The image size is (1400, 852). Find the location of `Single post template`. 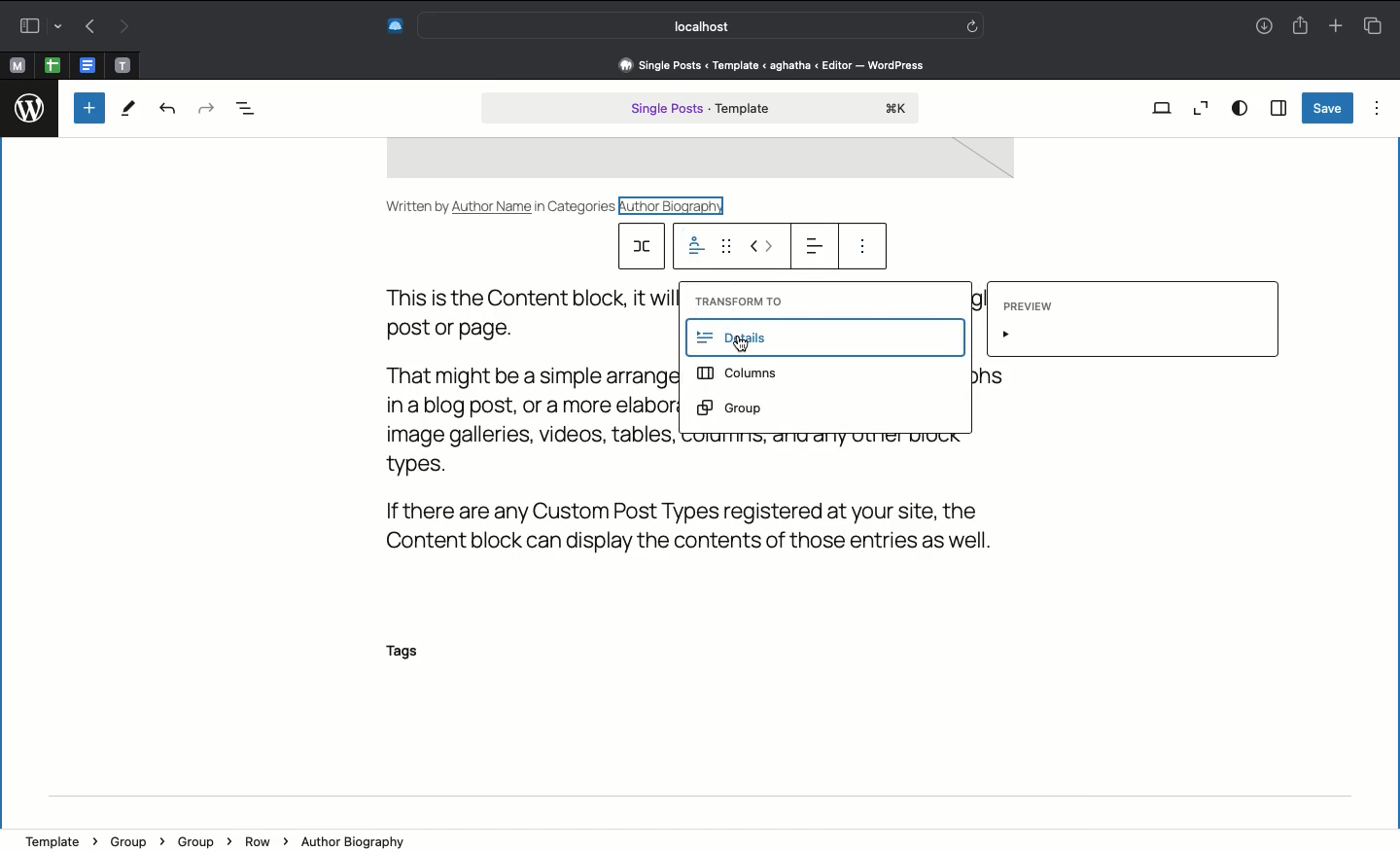

Single post template is located at coordinates (700, 110).